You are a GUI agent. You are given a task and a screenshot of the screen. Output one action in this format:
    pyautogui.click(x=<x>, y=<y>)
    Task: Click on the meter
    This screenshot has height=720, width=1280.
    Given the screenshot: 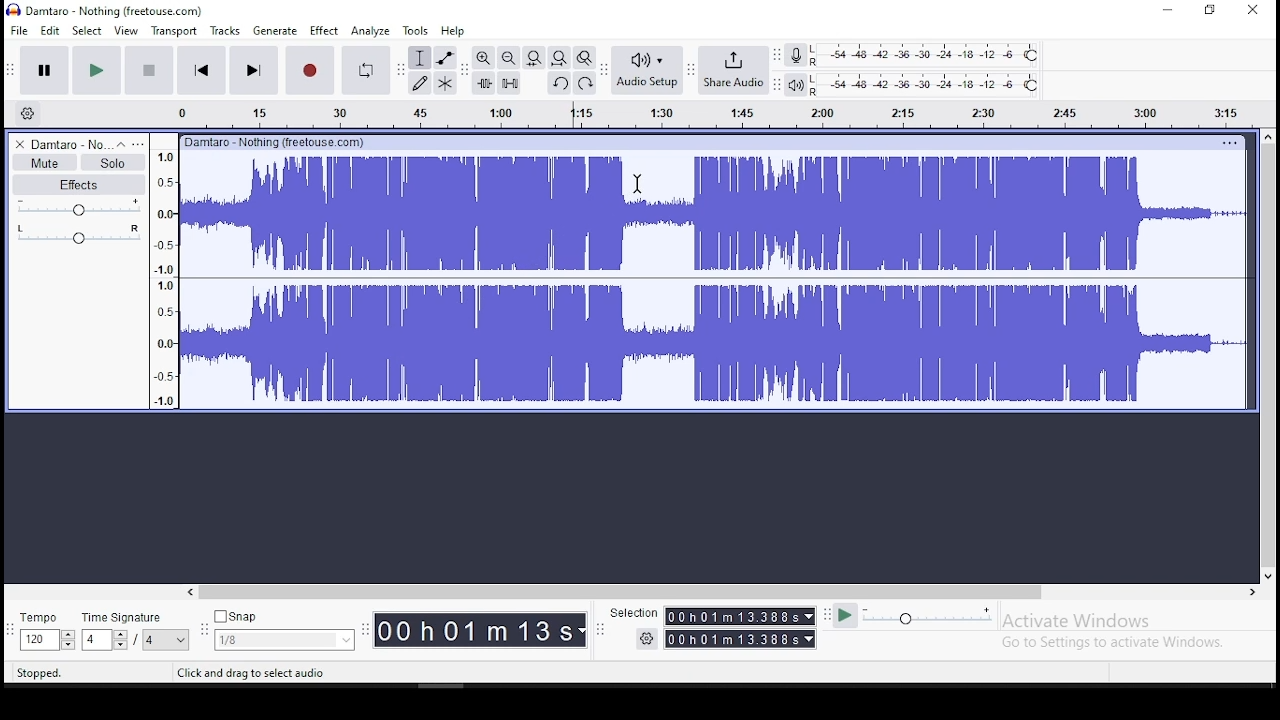 What is the action you would take?
    pyautogui.click(x=165, y=280)
    